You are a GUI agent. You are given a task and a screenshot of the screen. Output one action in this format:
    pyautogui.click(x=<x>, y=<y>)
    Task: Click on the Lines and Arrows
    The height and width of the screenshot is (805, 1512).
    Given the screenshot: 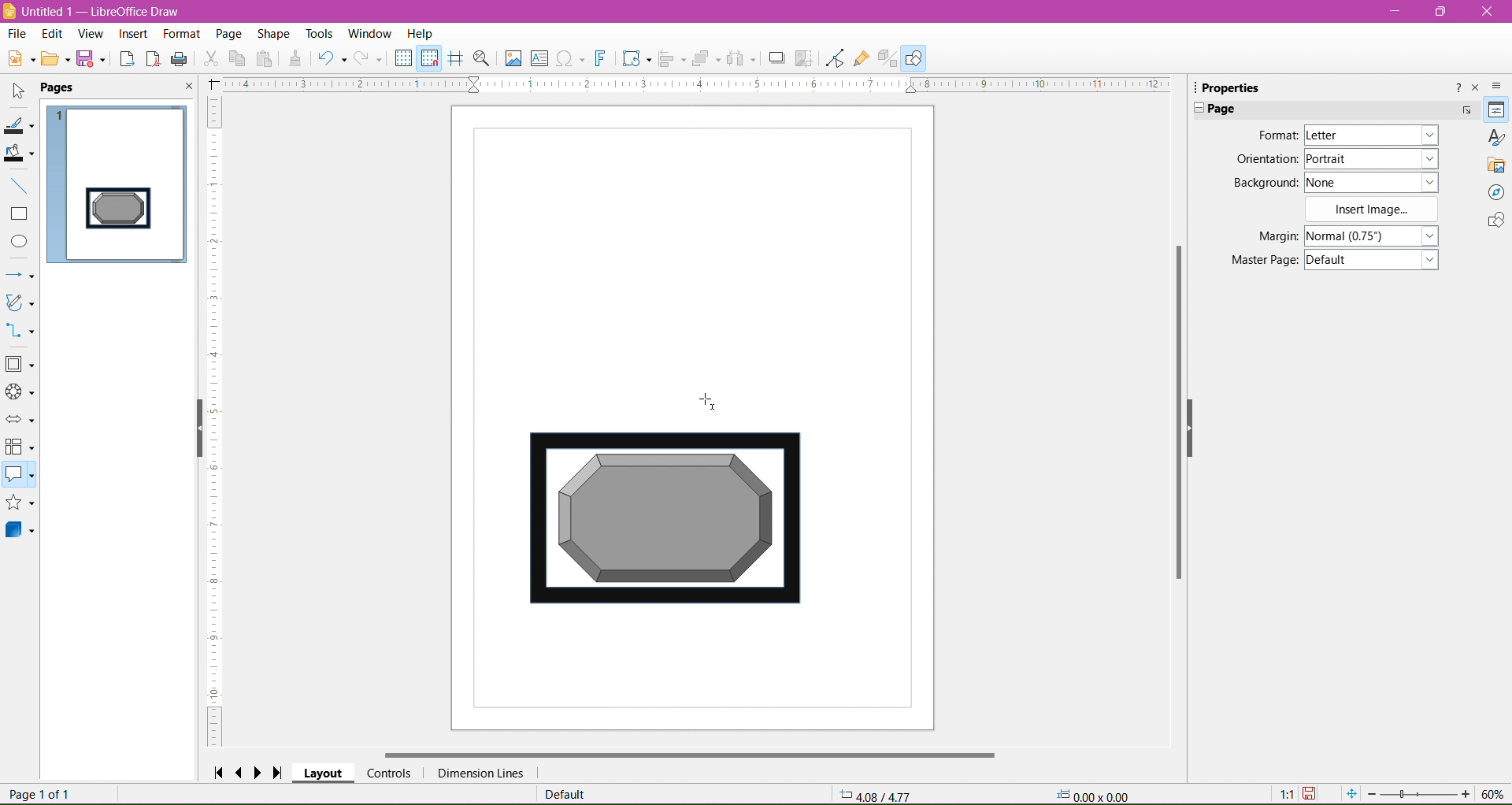 What is the action you would take?
    pyautogui.click(x=20, y=275)
    